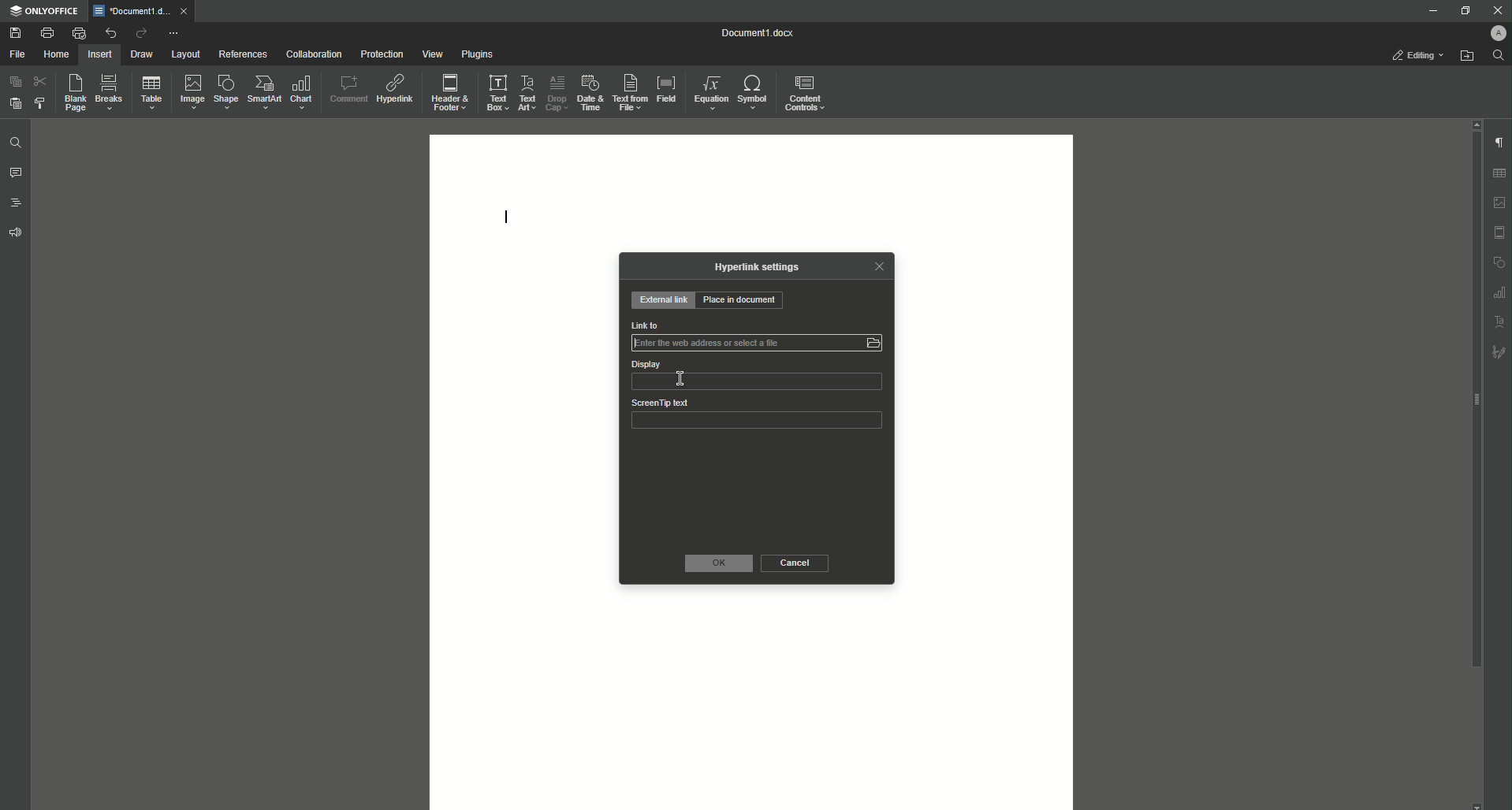 The image size is (1512, 810). I want to click on Display, so click(757, 383).